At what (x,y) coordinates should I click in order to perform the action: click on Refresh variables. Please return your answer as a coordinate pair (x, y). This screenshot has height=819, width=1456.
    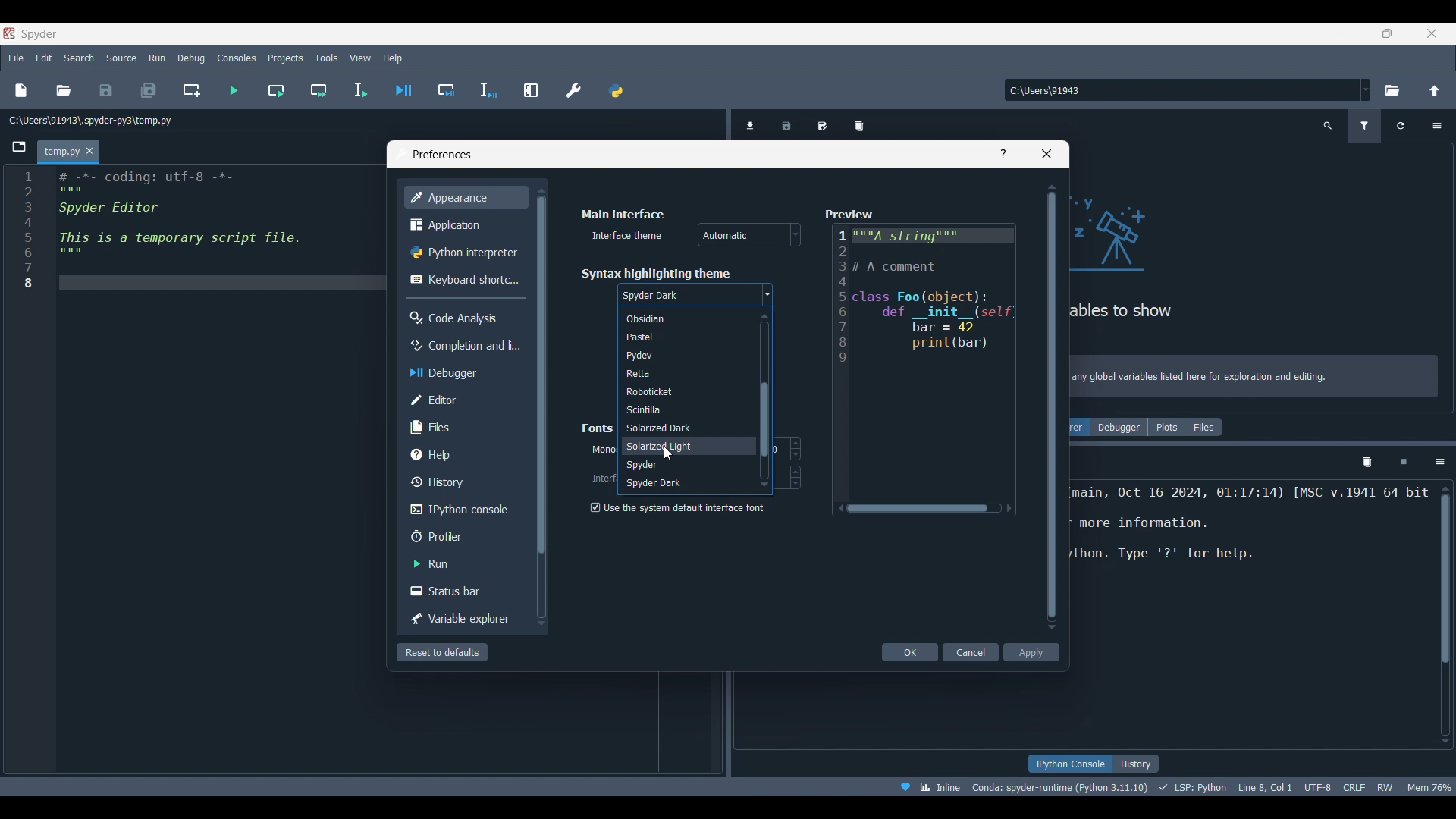
    Looking at the image, I should click on (1401, 126).